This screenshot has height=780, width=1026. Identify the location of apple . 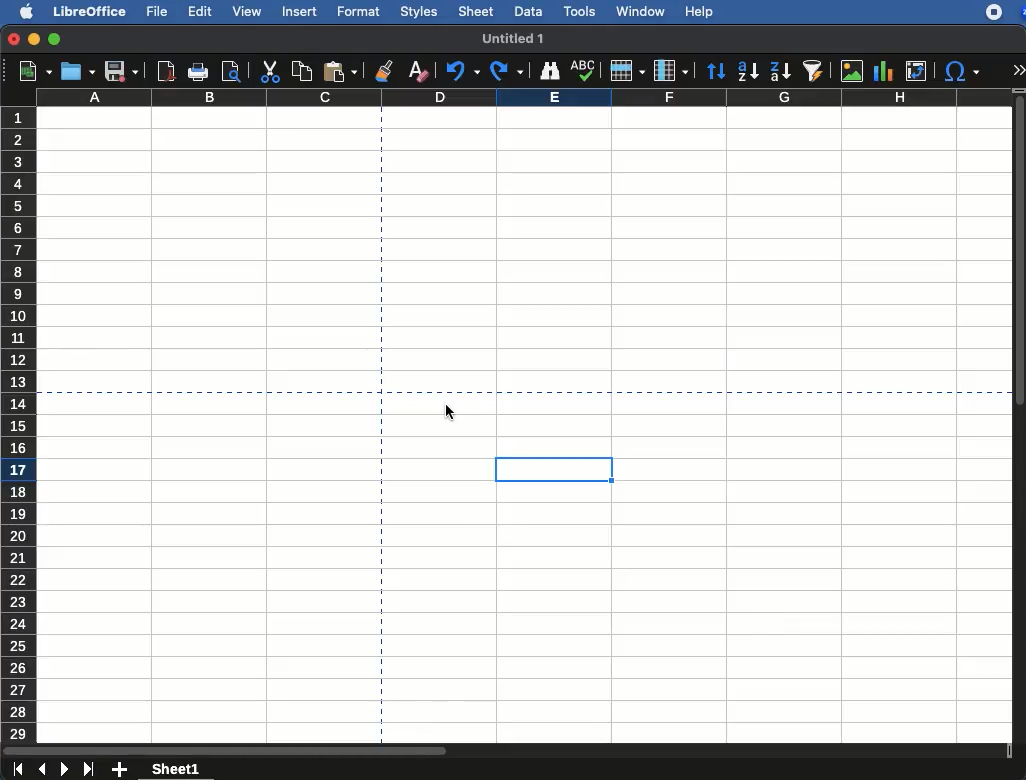
(21, 11).